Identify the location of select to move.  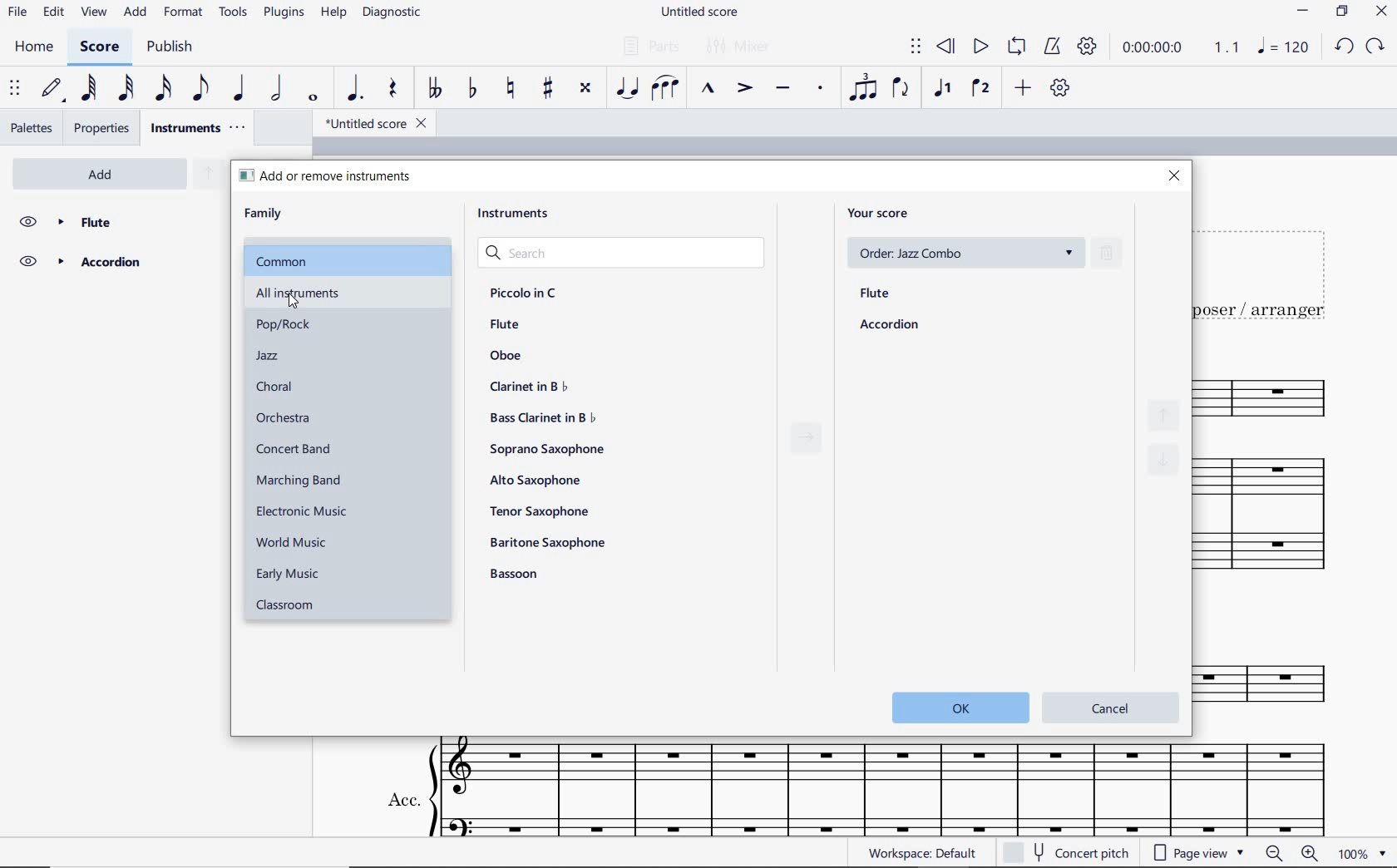
(15, 89).